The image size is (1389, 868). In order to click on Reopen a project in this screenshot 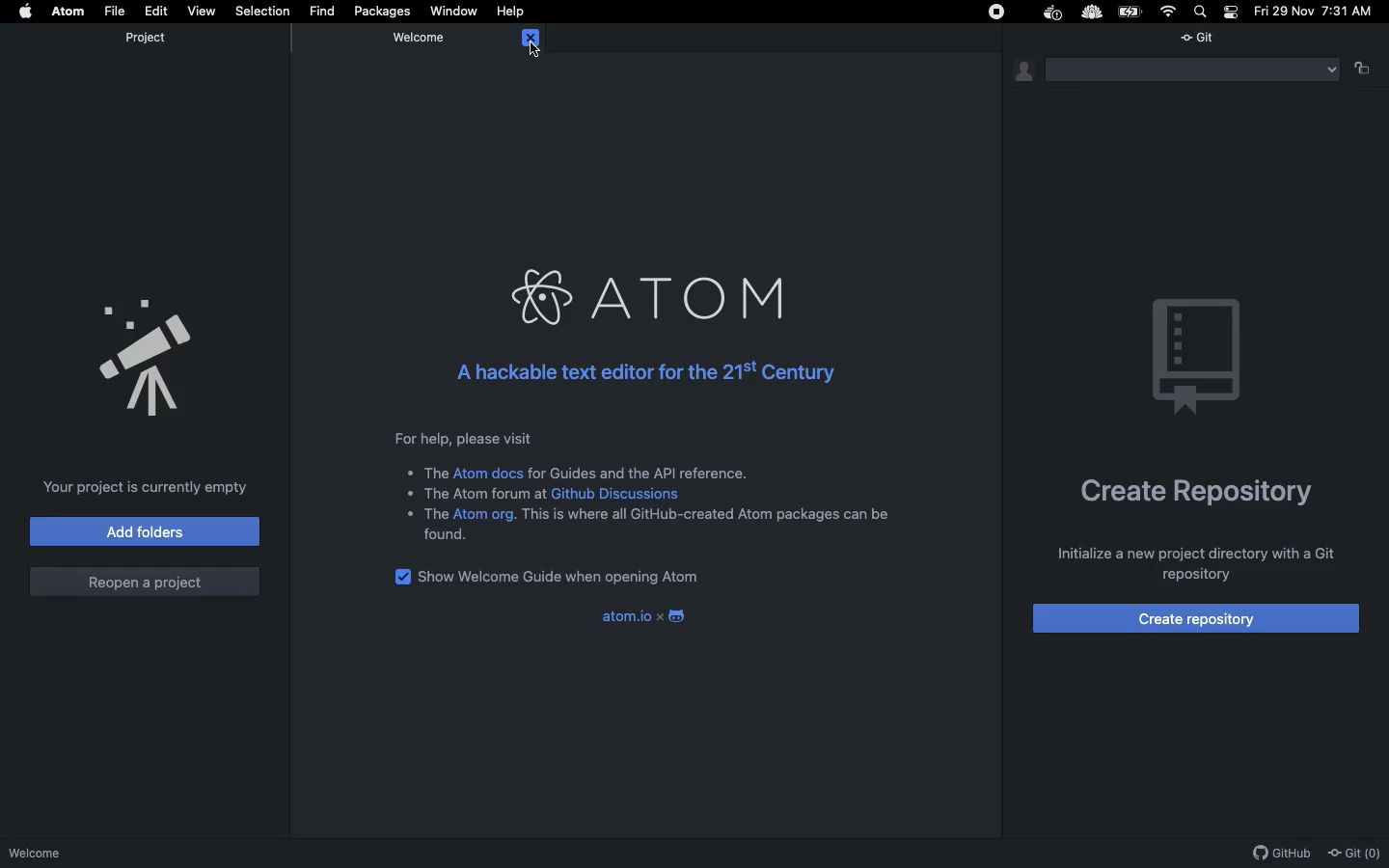, I will do `click(146, 584)`.